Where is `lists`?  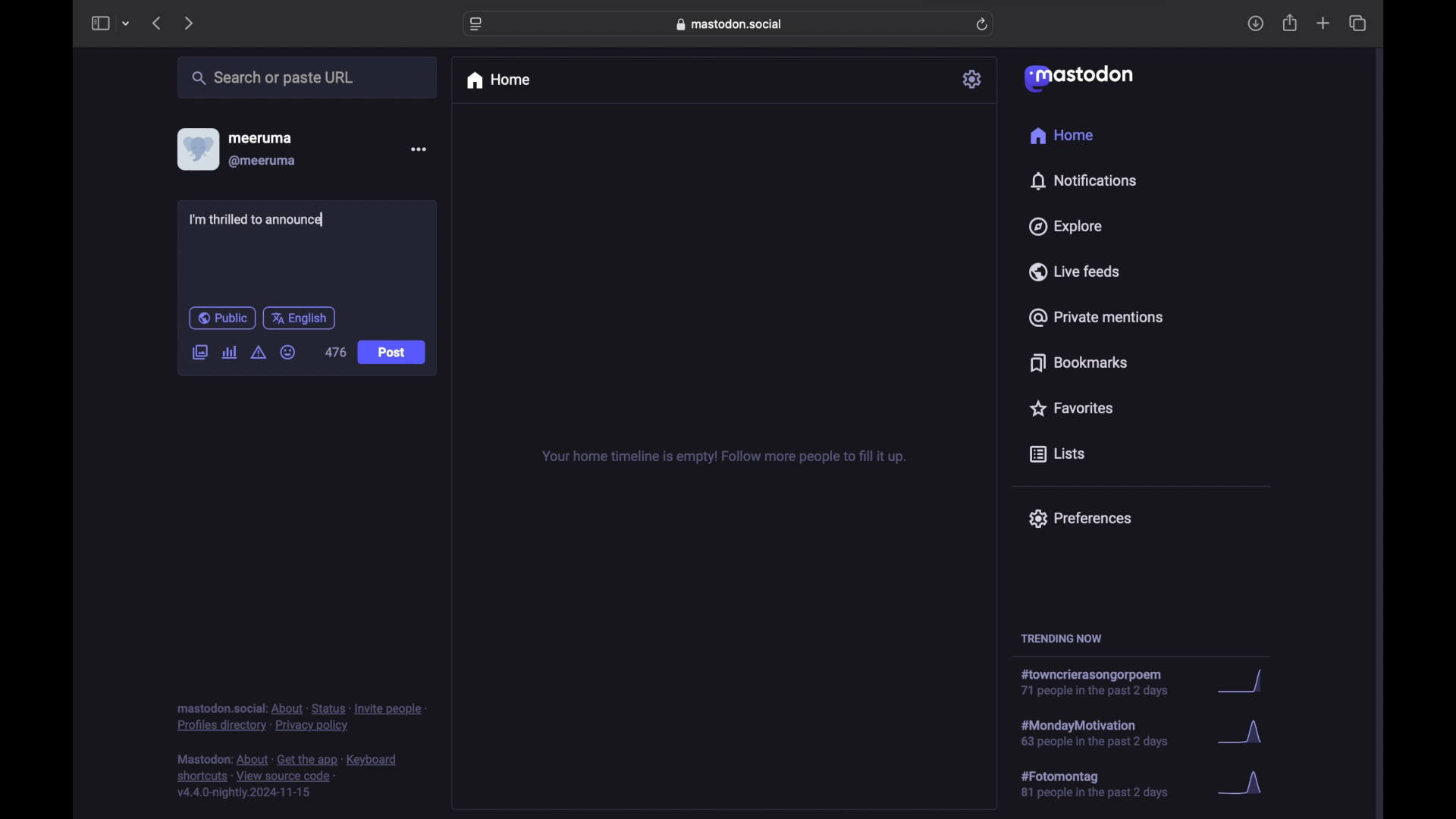 lists is located at coordinates (1057, 455).